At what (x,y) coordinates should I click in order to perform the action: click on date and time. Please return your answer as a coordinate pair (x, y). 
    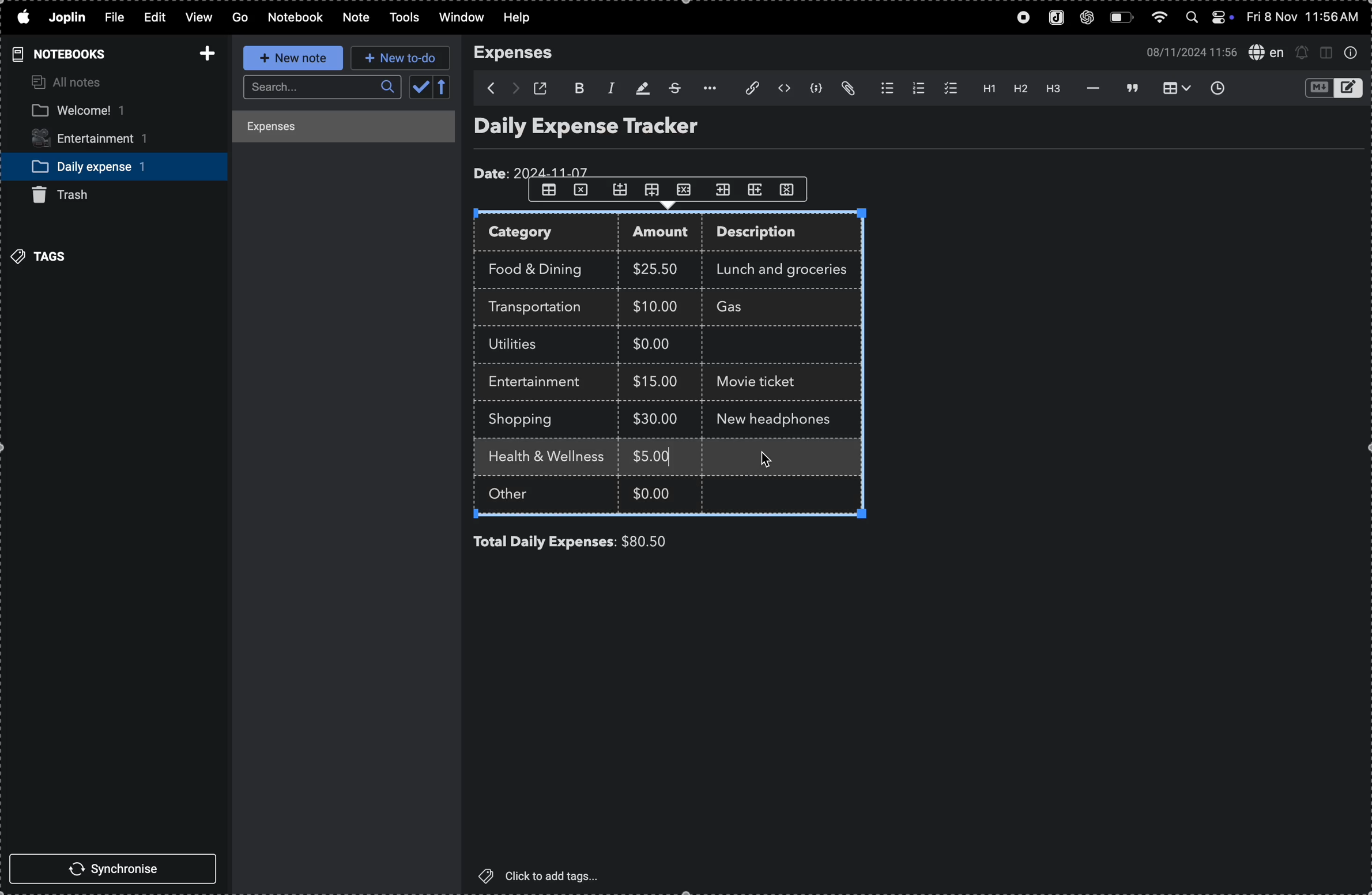
    Looking at the image, I should click on (1187, 51).